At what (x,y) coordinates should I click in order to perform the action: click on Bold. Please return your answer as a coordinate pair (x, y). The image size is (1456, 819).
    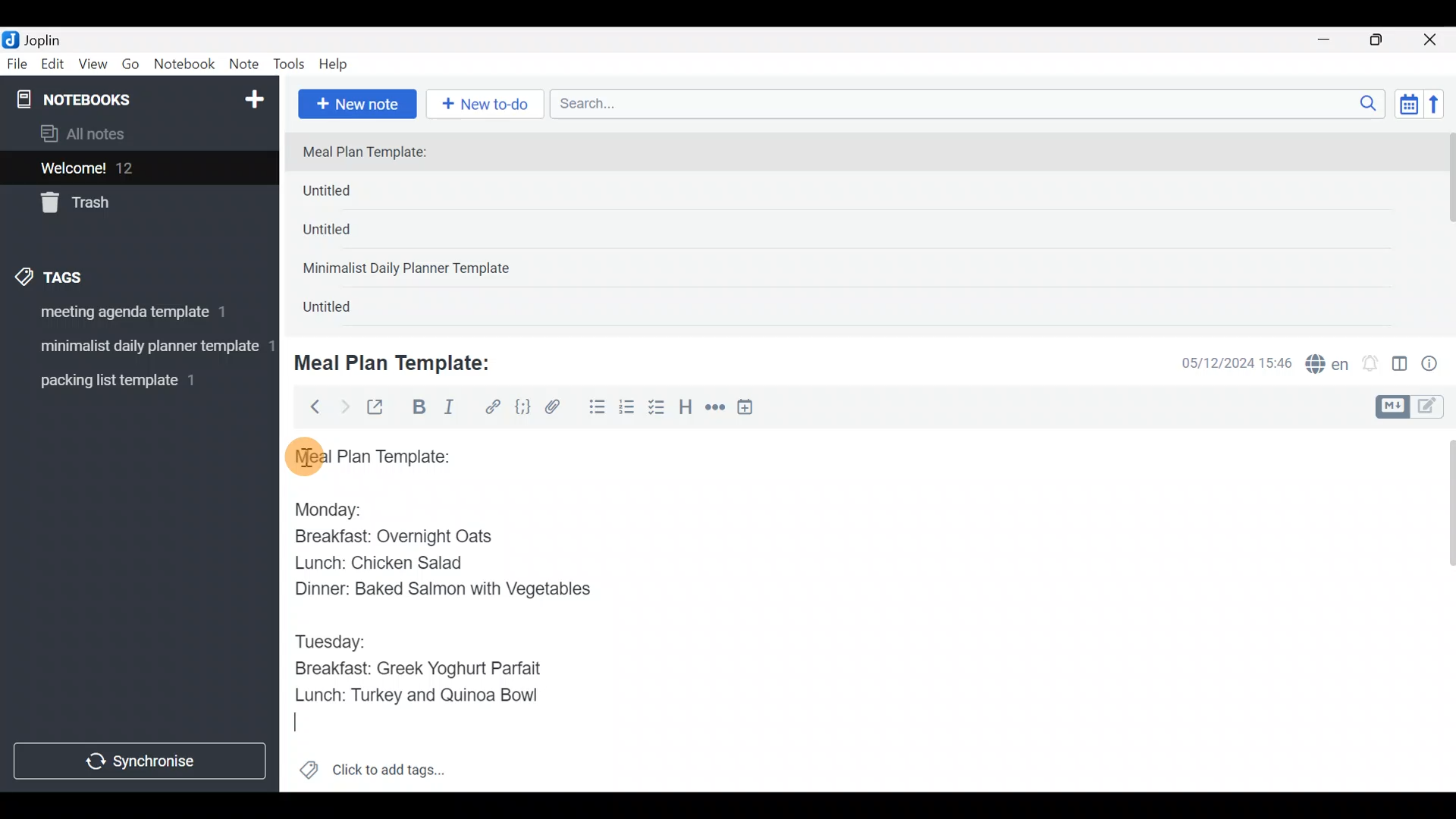
    Looking at the image, I should click on (418, 409).